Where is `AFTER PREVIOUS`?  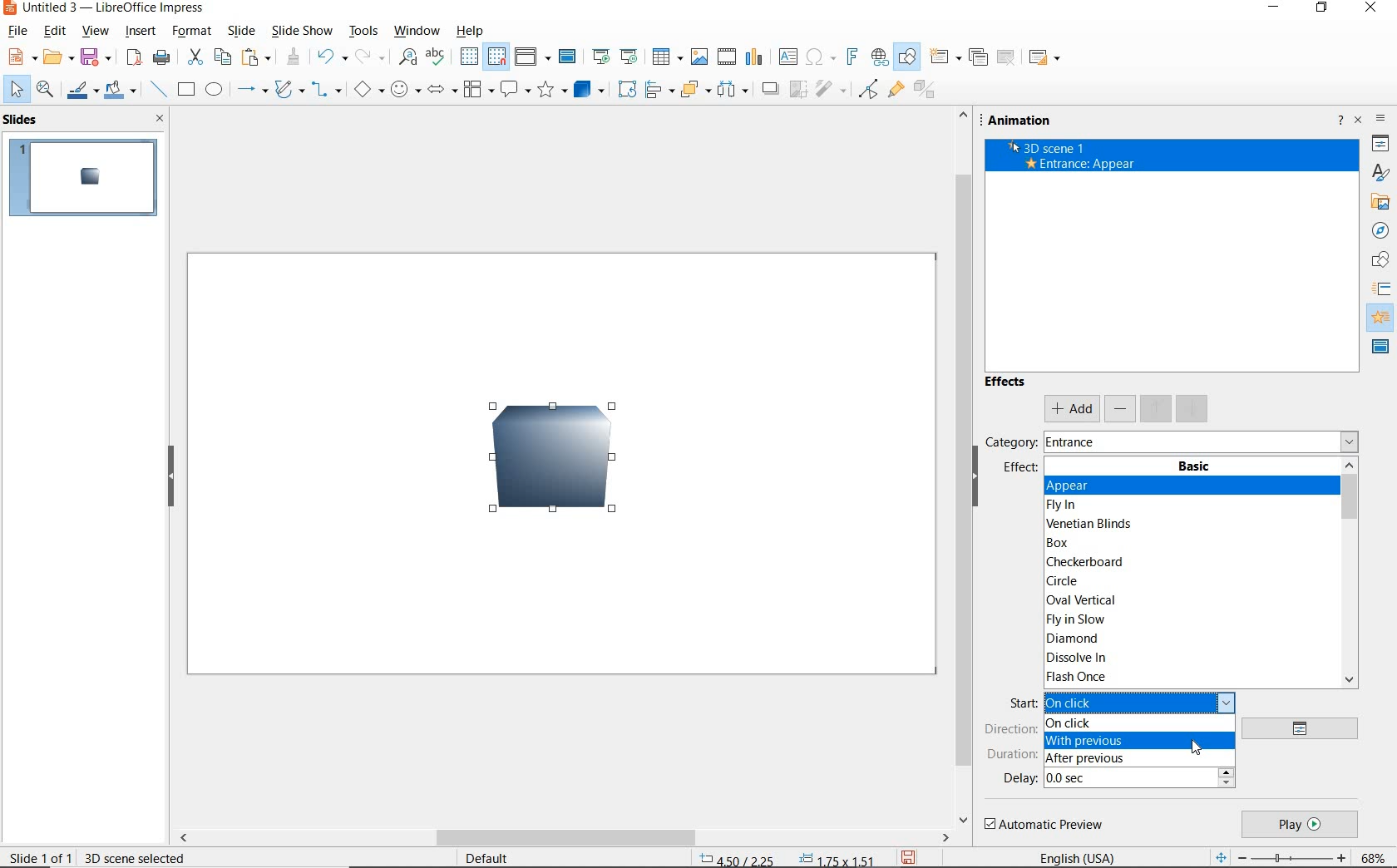 AFTER PREVIOUS is located at coordinates (1138, 759).